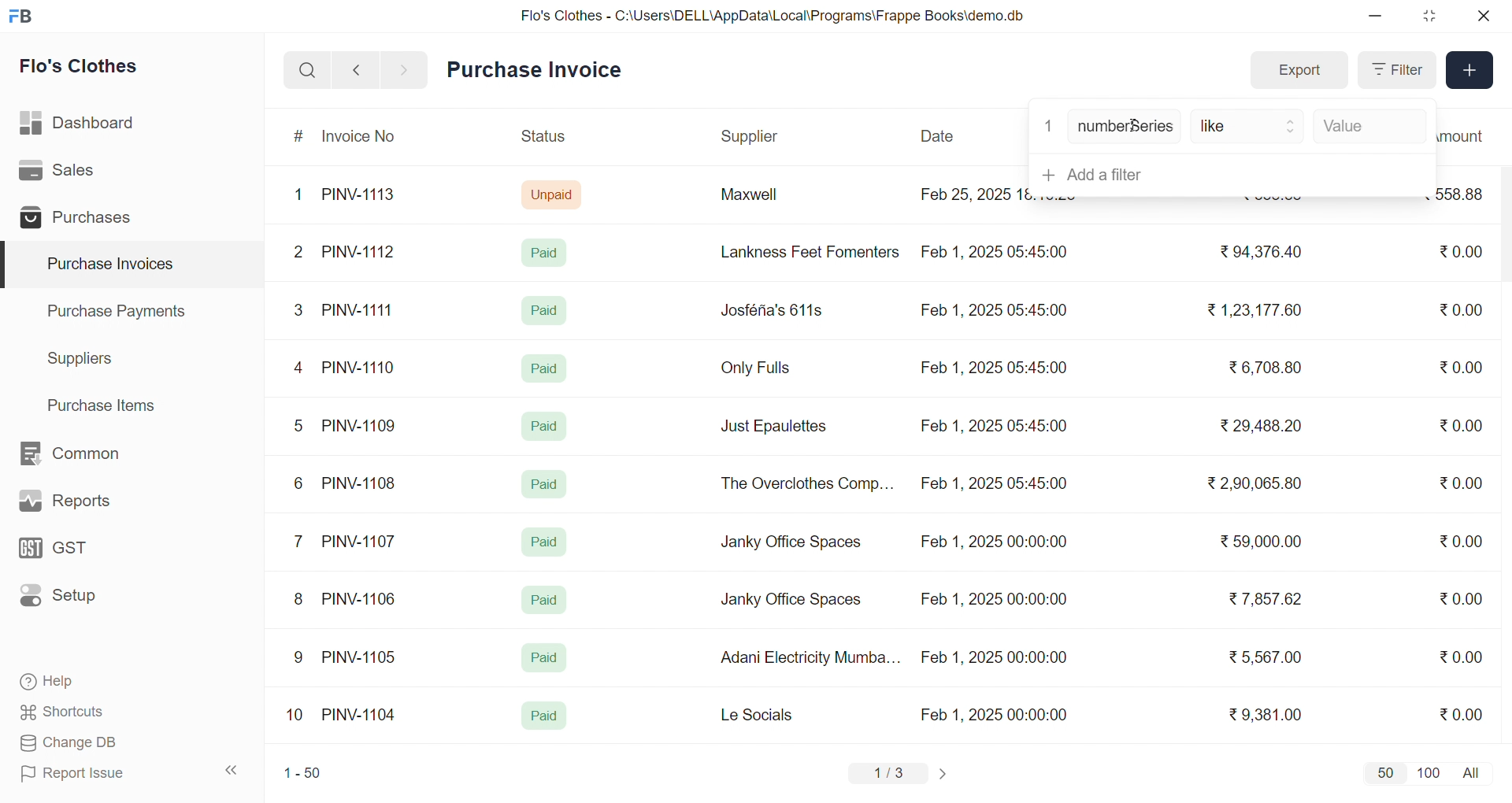  Describe the element at coordinates (1366, 128) in the screenshot. I see `Value` at that location.